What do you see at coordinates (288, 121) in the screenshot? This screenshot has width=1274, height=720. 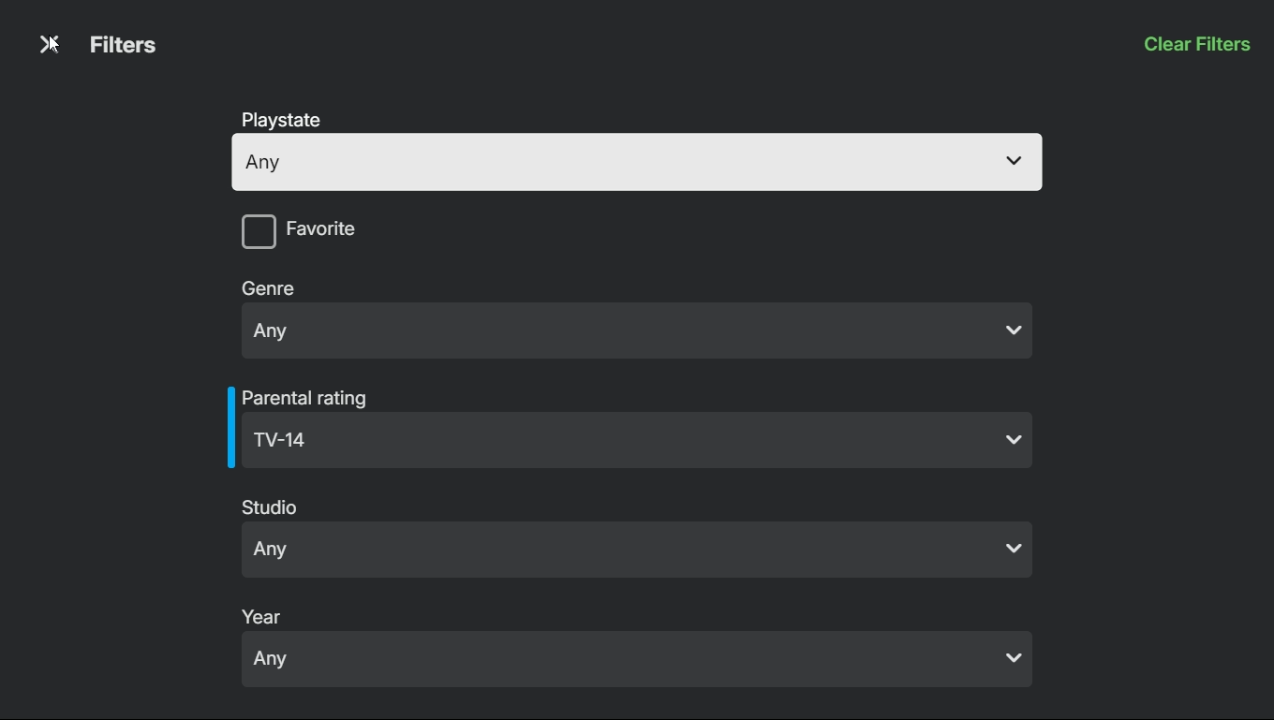 I see `playstate` at bounding box center [288, 121].